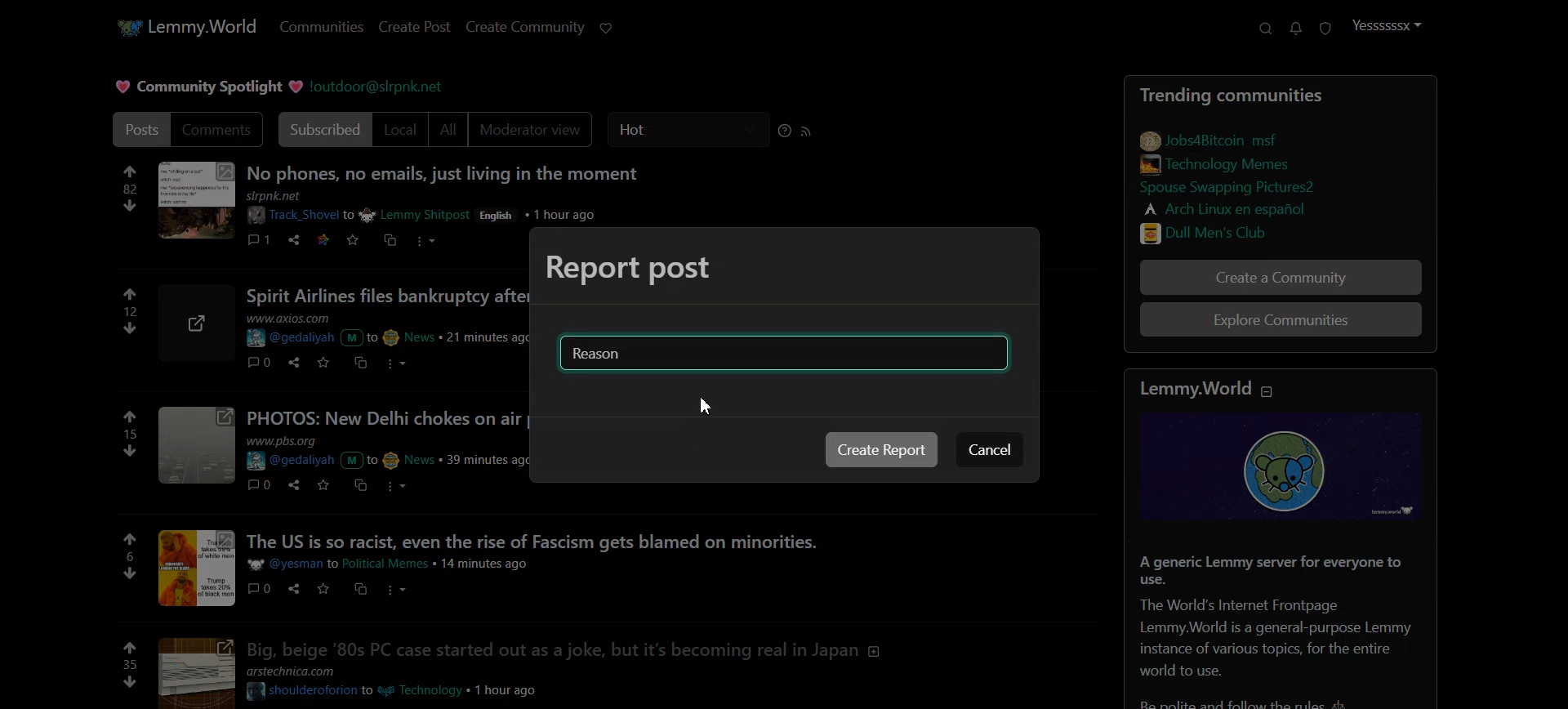 Image resolution: width=1568 pixels, height=709 pixels. Describe the element at coordinates (413, 27) in the screenshot. I see `Create Post` at that location.